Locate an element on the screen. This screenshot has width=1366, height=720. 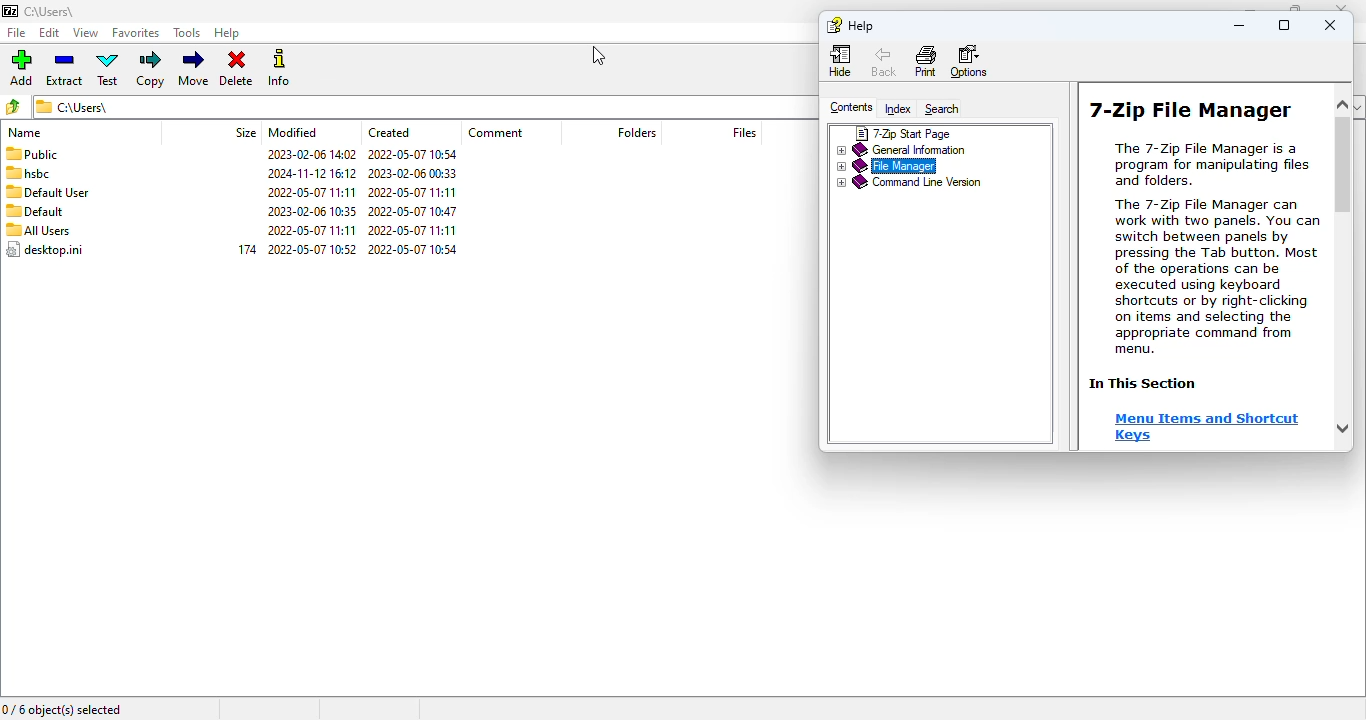
vertical scroll bar is located at coordinates (1344, 168).